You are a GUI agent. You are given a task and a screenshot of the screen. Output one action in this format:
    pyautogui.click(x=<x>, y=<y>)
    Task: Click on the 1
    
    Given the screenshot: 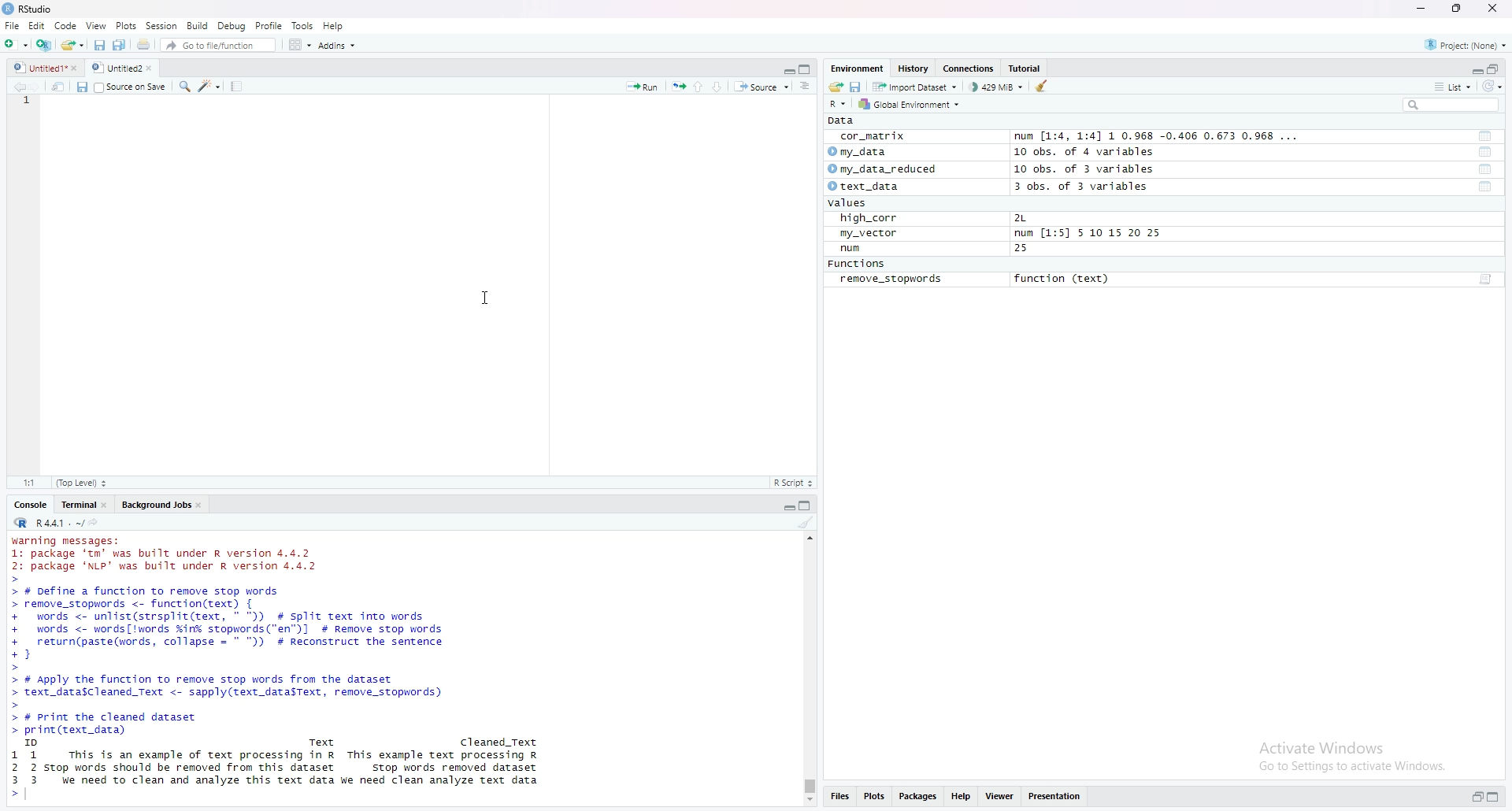 What is the action you would take?
    pyautogui.click(x=31, y=104)
    